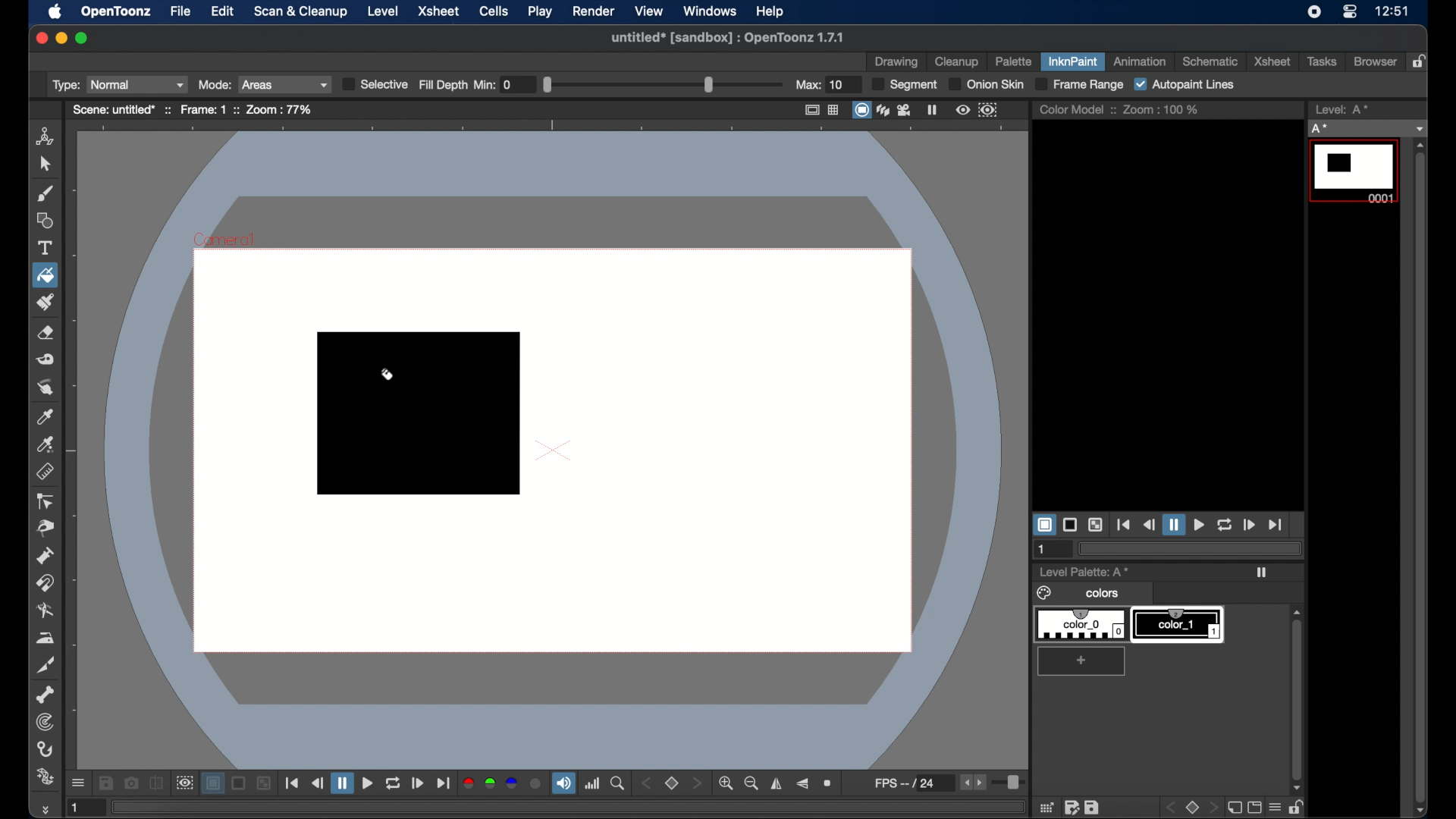 Image resolution: width=1456 pixels, height=819 pixels. Describe the element at coordinates (906, 109) in the screenshot. I see `camera` at that location.